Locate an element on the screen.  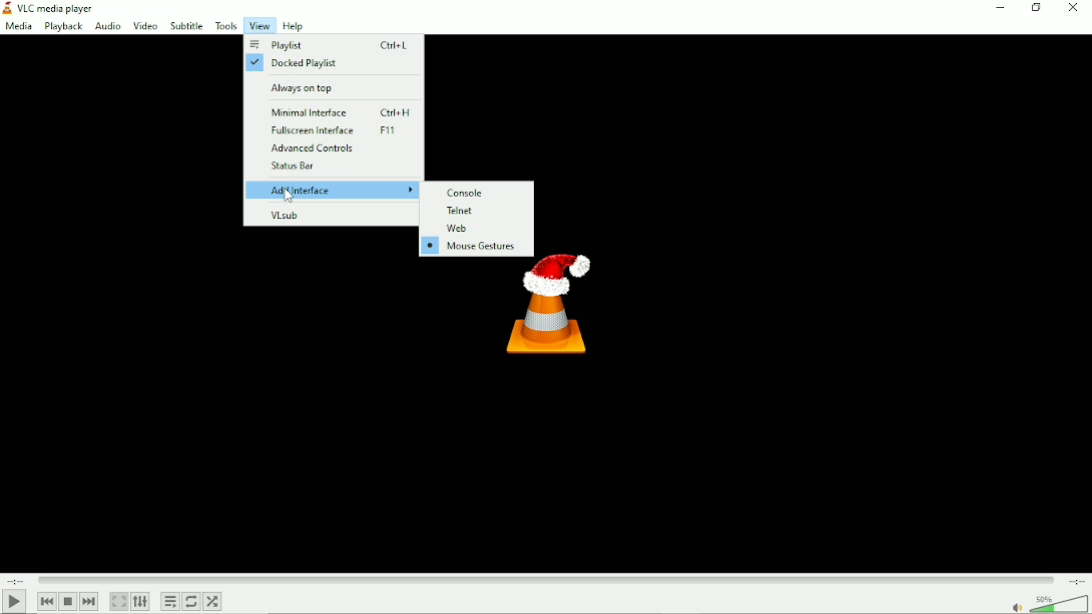
Restore down is located at coordinates (1036, 8).